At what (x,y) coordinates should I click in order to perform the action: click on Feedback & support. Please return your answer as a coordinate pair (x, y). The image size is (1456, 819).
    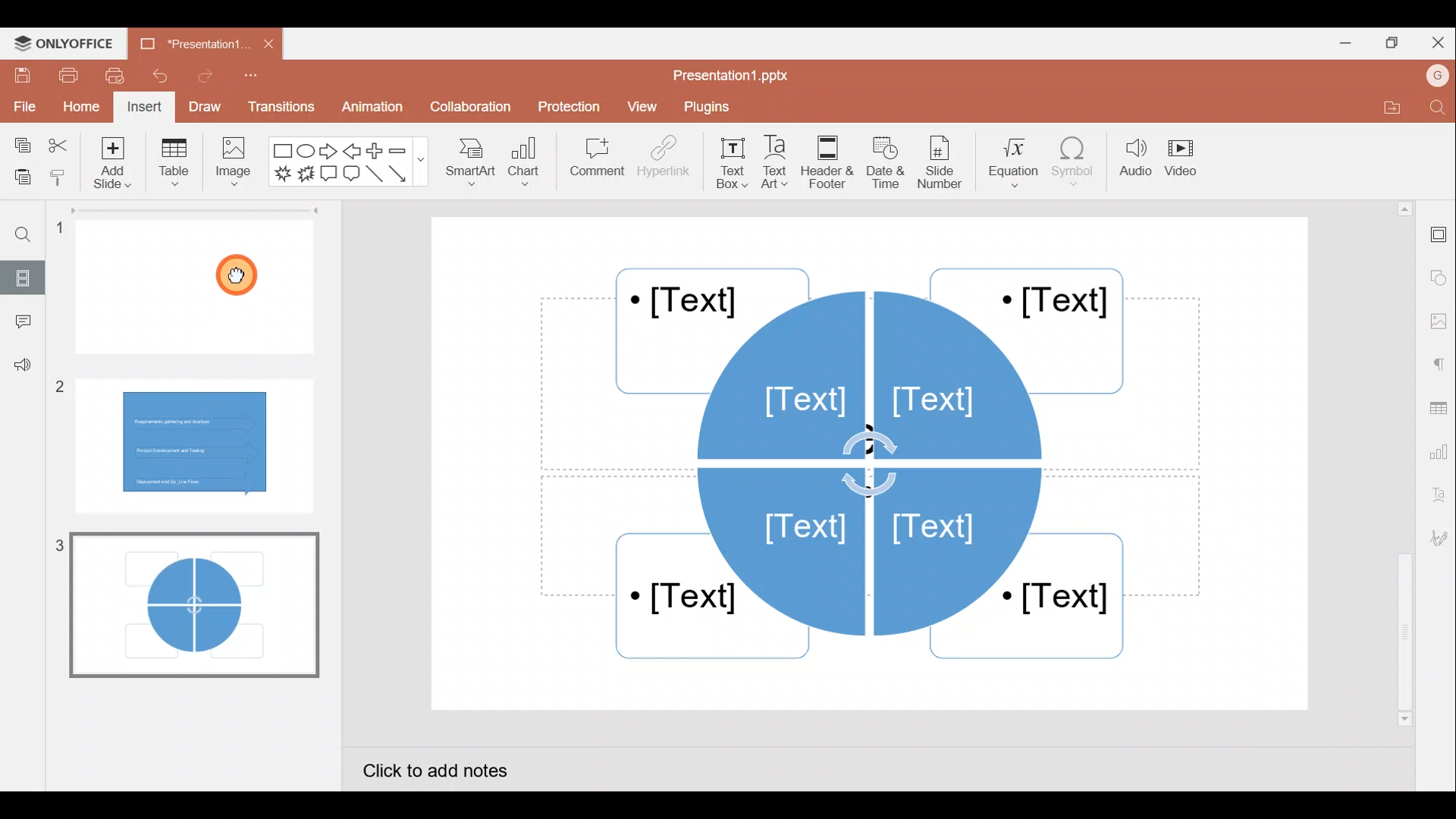
    Looking at the image, I should click on (20, 370).